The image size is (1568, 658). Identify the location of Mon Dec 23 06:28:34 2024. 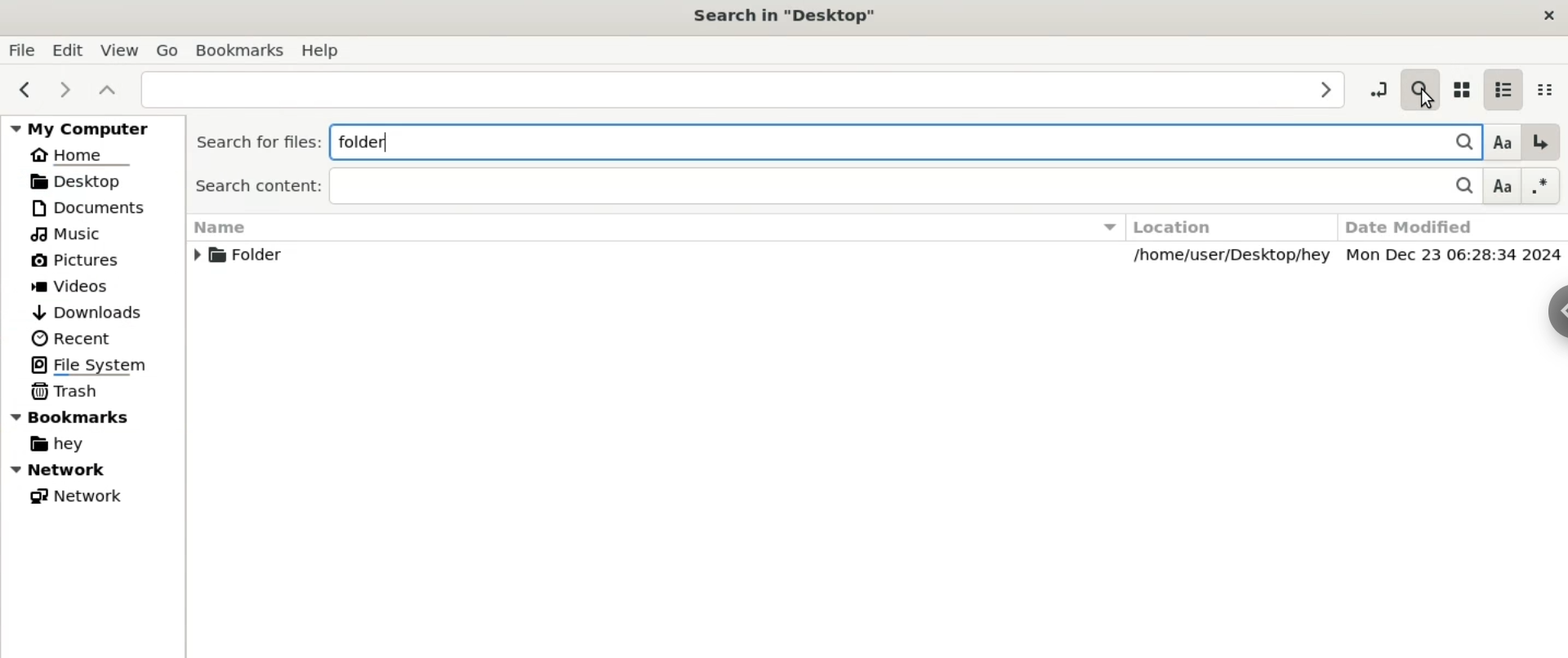
(1455, 256).